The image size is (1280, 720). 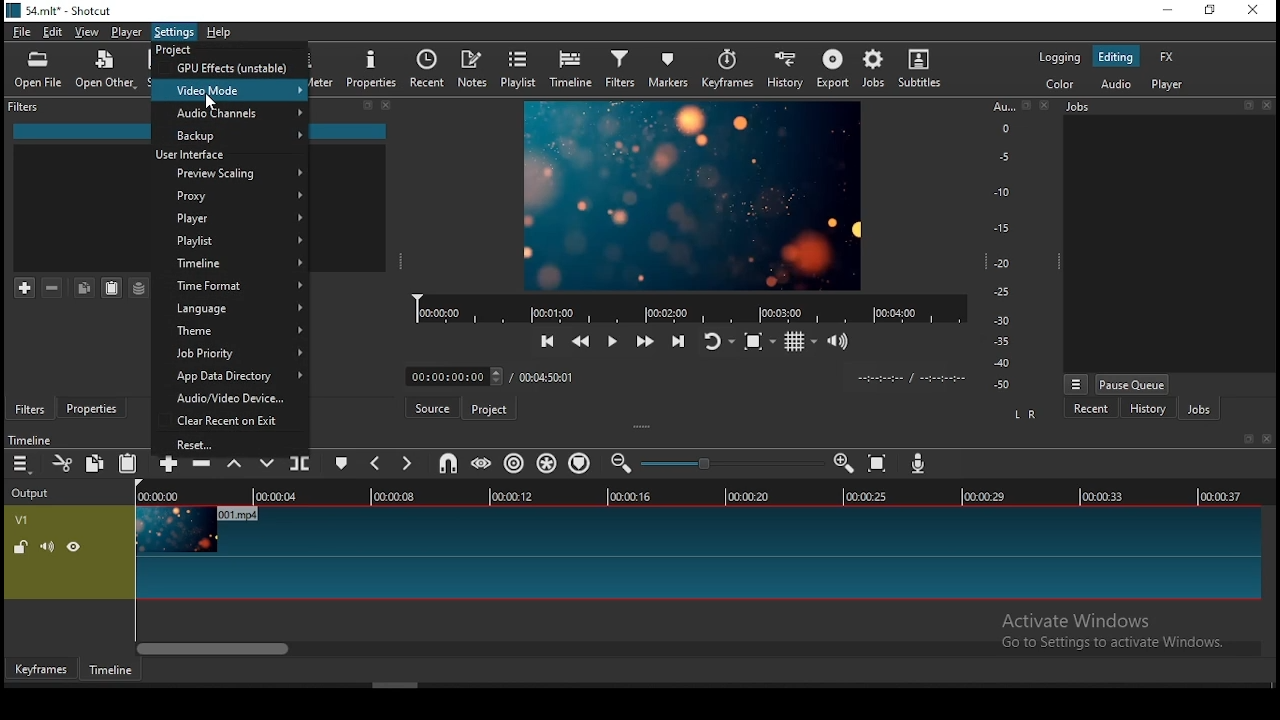 I want to click on play quickly forwards, so click(x=645, y=339).